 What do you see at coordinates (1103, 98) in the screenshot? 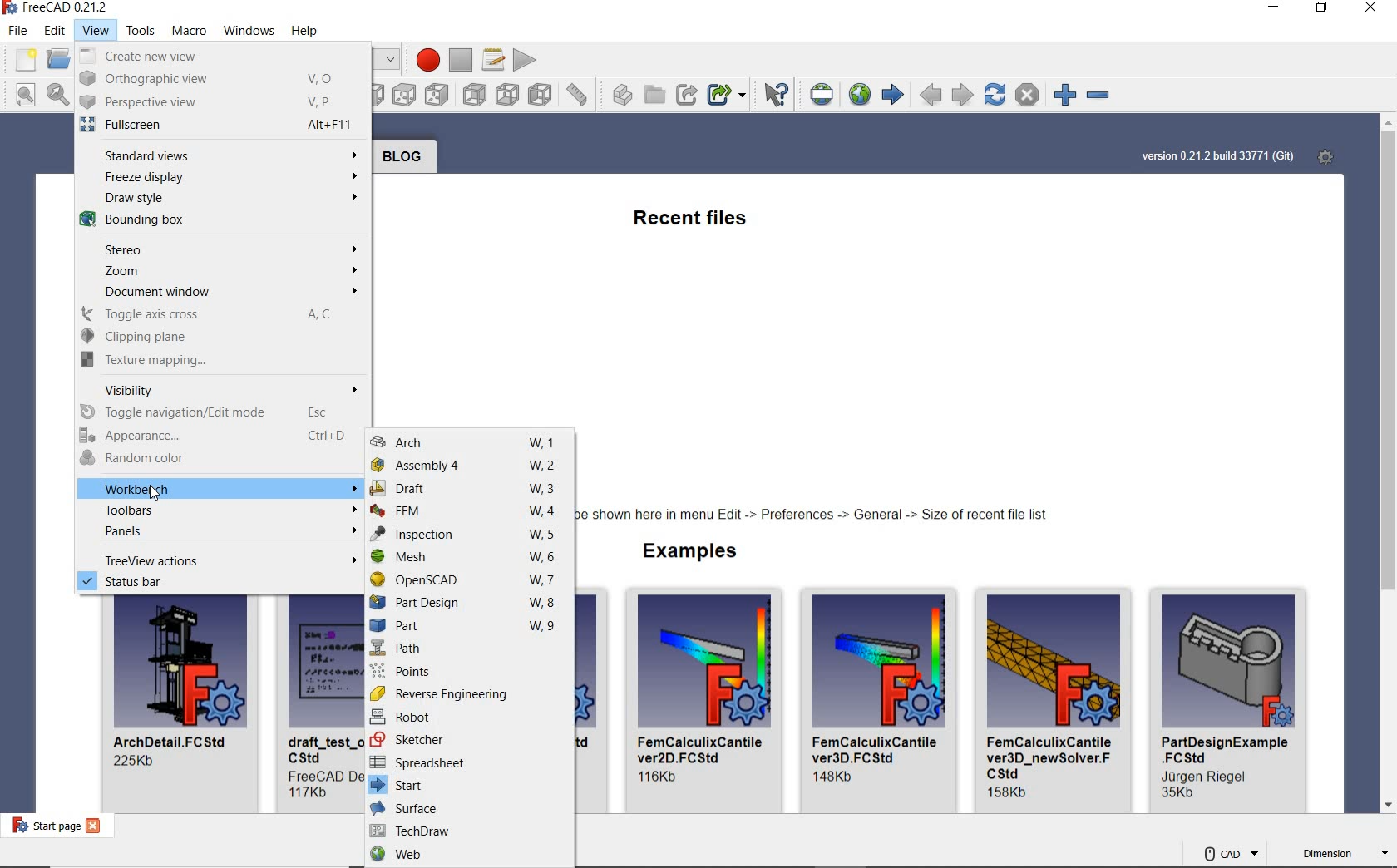
I see `zoom out` at bounding box center [1103, 98].